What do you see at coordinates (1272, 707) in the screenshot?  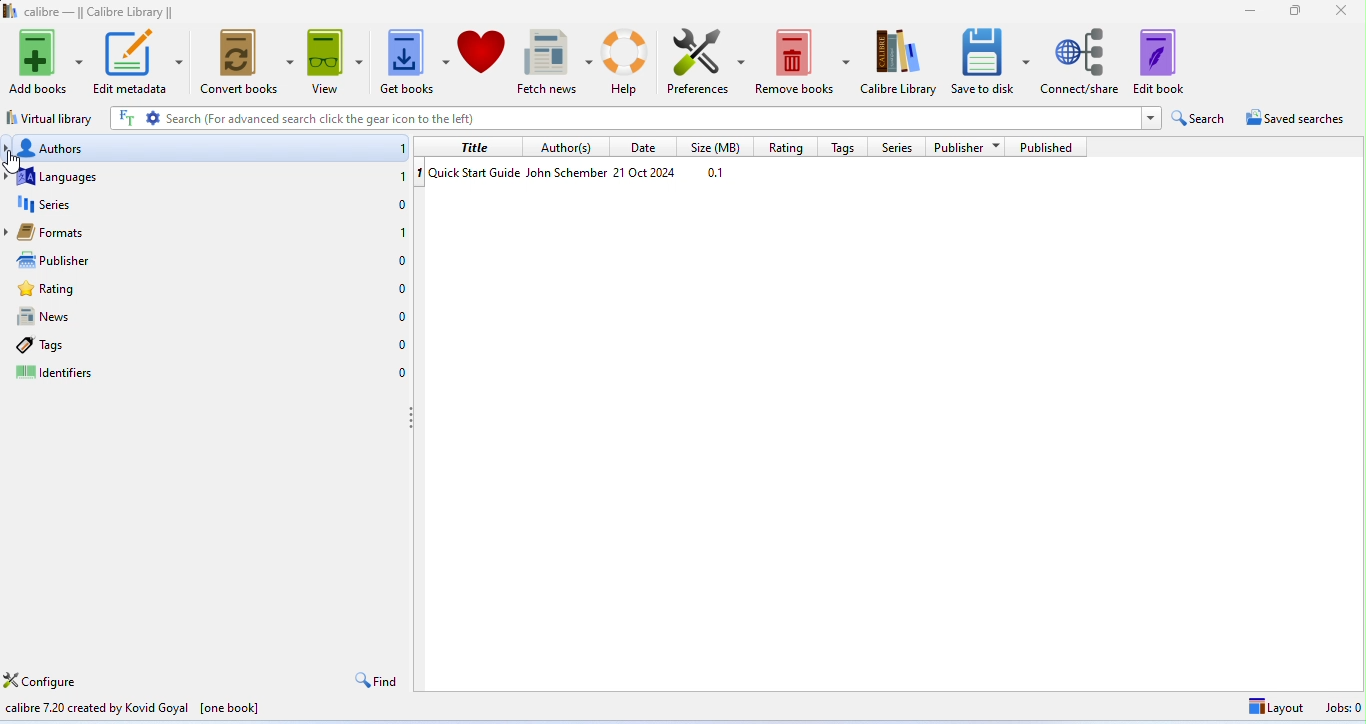 I see `layout` at bounding box center [1272, 707].